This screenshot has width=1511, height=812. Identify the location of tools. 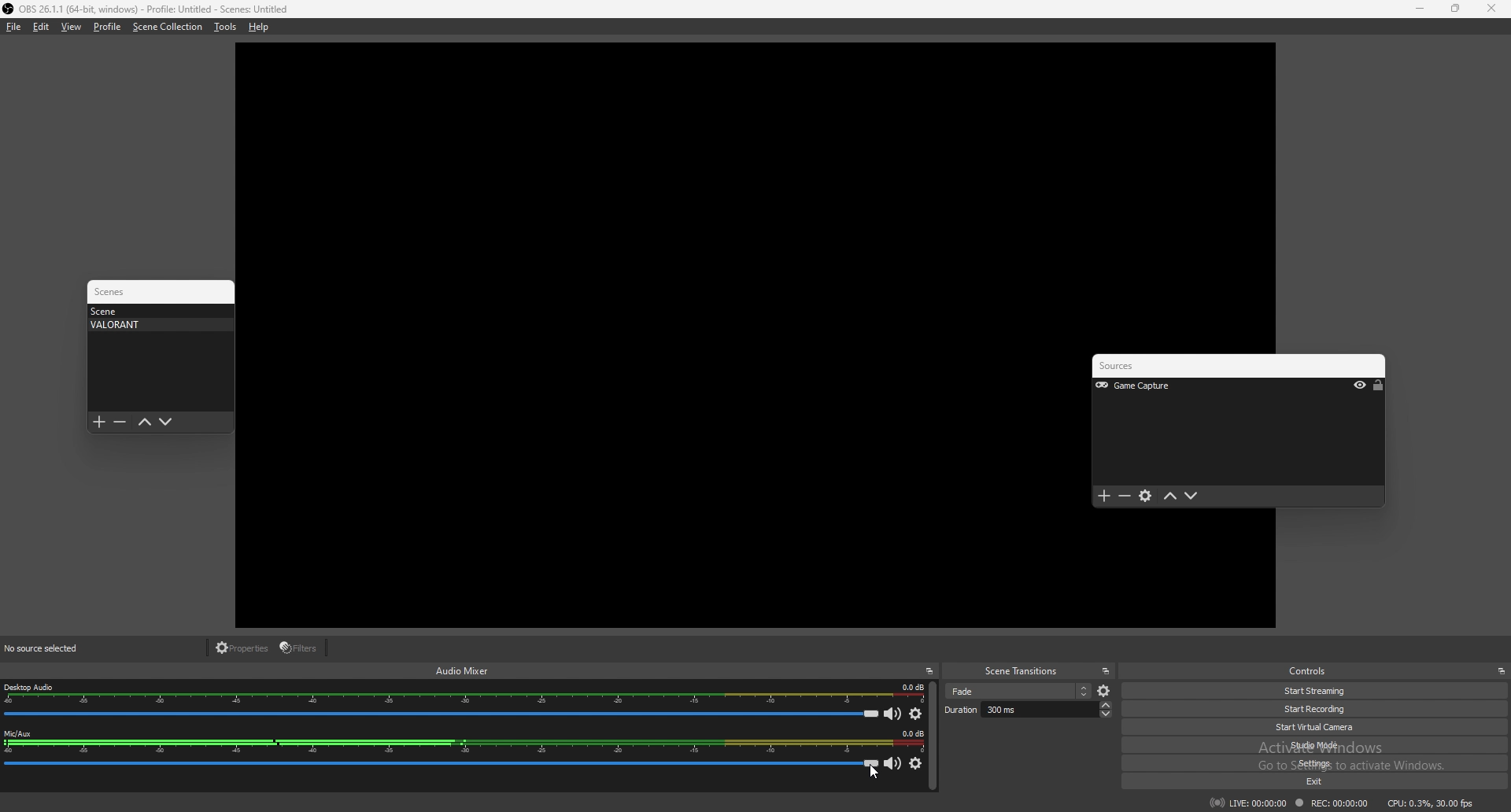
(225, 27).